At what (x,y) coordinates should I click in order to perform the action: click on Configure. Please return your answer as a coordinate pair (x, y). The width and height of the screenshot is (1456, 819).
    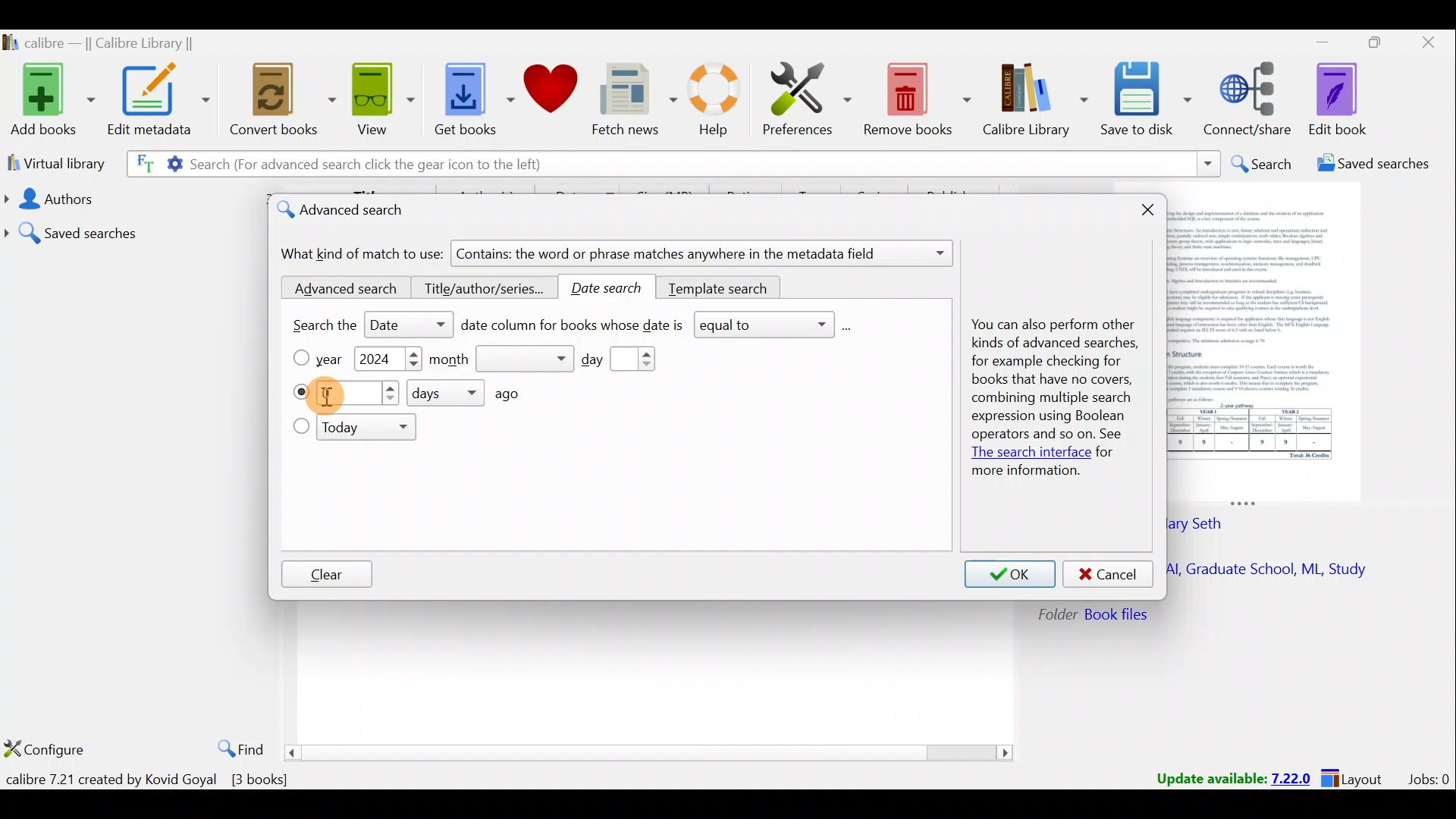
    Looking at the image, I should click on (45, 751).